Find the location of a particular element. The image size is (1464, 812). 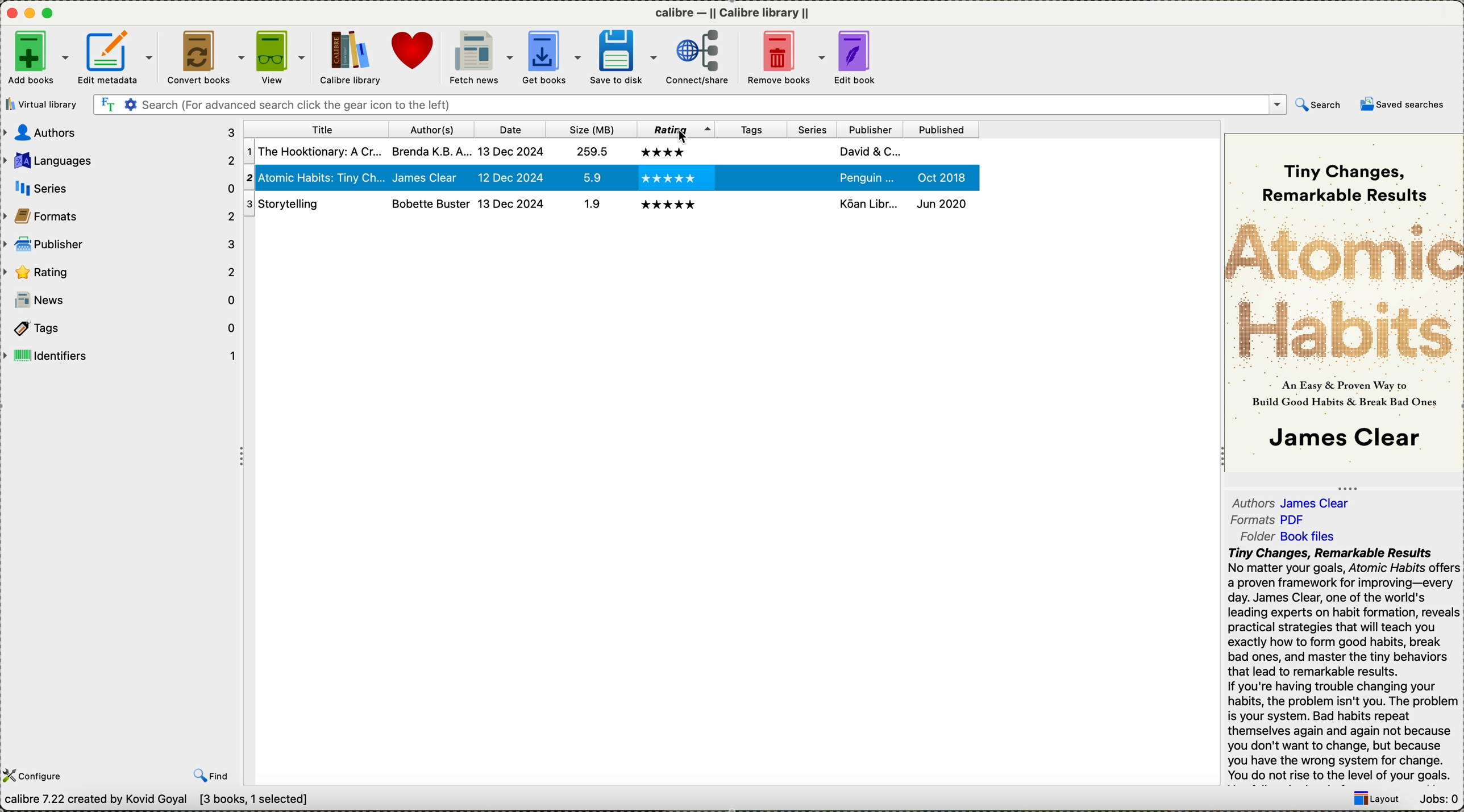

formats PDF is located at coordinates (1250, 520).